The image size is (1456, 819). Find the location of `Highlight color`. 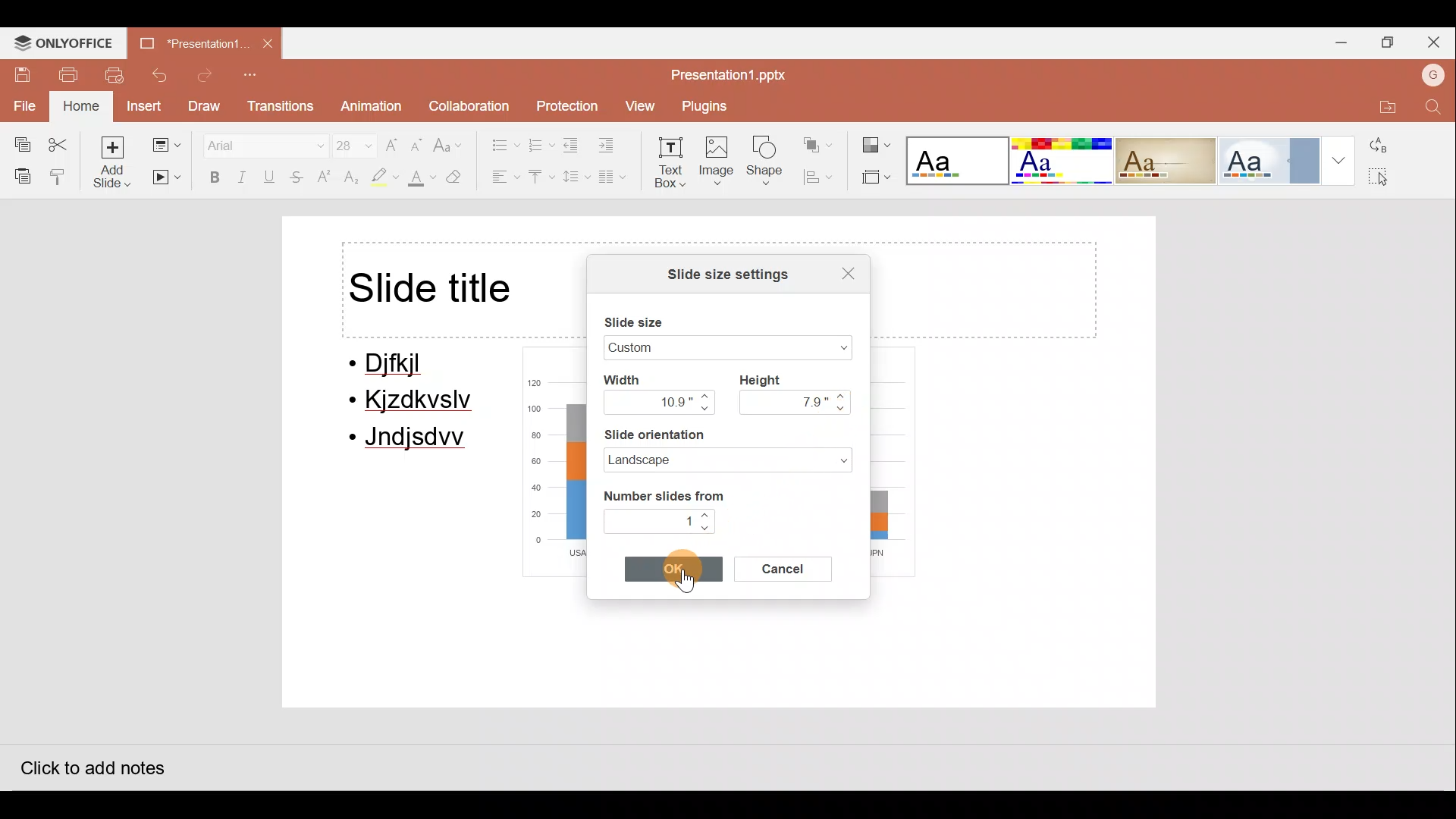

Highlight color is located at coordinates (381, 178).